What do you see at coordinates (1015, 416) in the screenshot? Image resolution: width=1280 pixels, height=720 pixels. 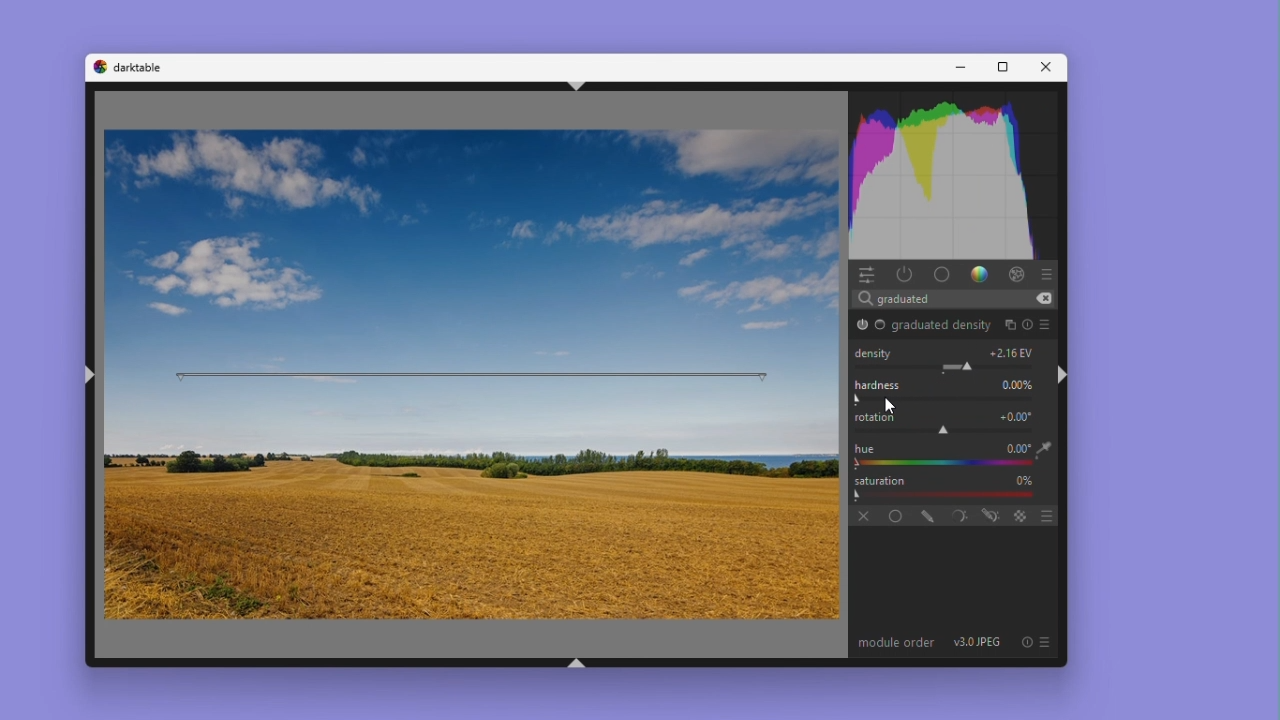 I see `+0.00` at bounding box center [1015, 416].